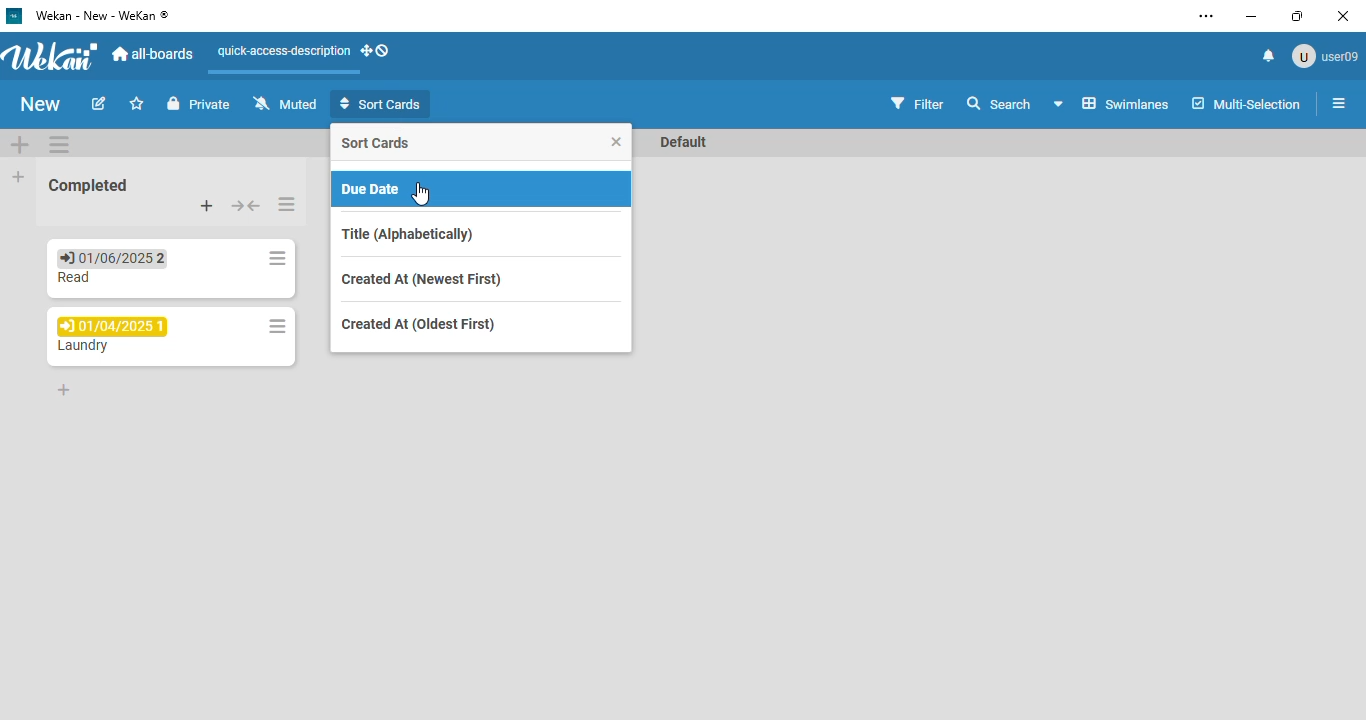 Image resolution: width=1366 pixels, height=720 pixels. I want to click on quick-access-description, so click(284, 51).